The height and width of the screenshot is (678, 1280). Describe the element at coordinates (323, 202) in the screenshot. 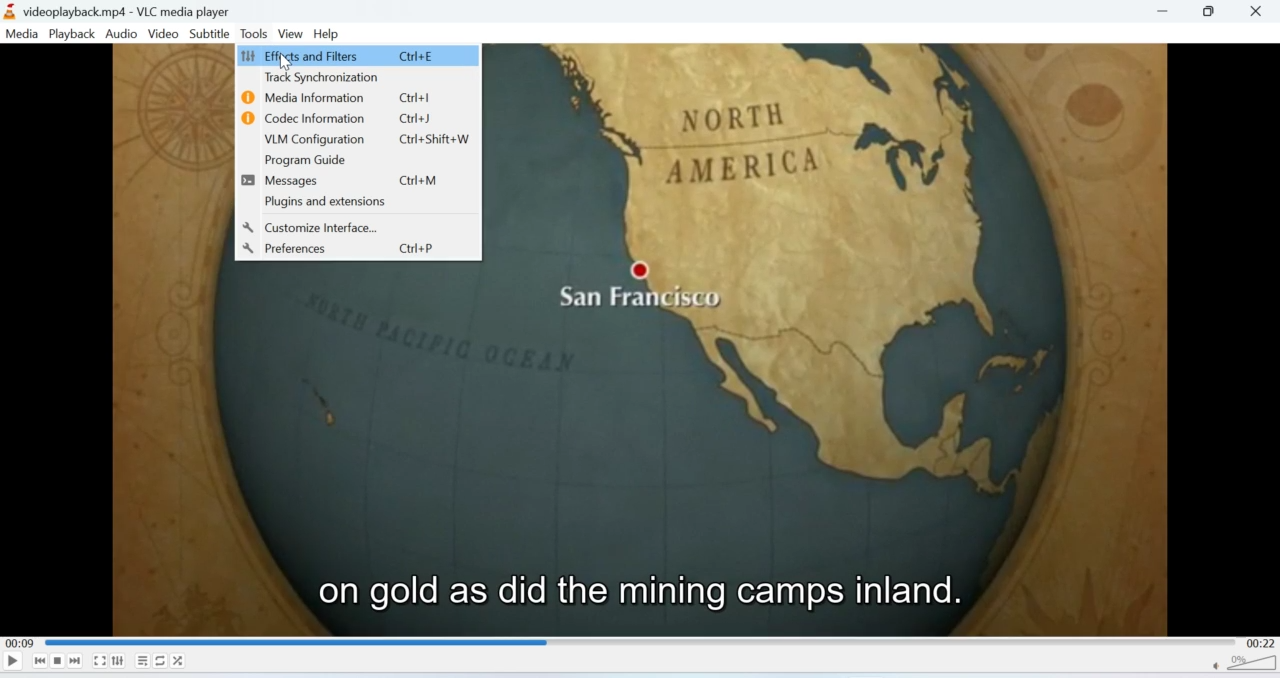

I see `Plugins and extensions` at that location.